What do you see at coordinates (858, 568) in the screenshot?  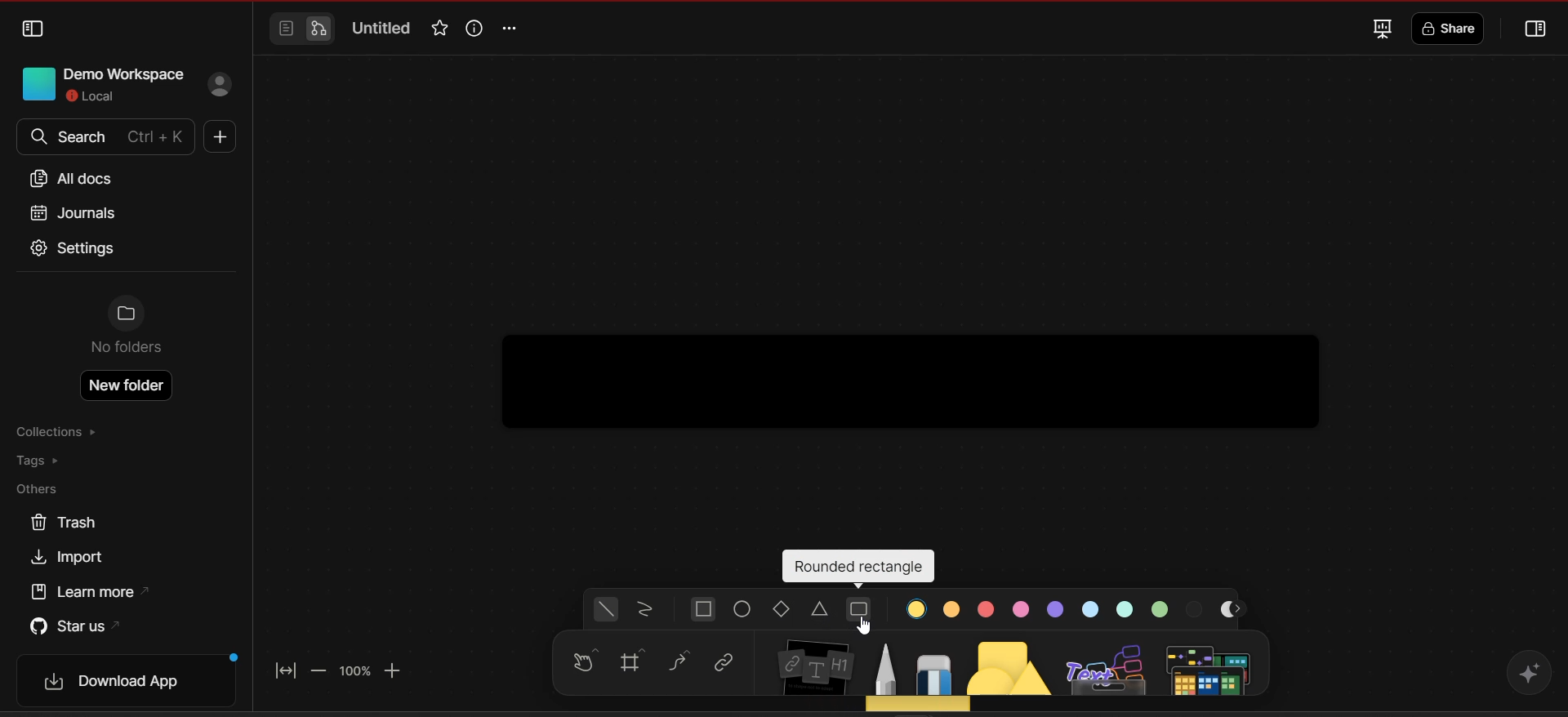 I see `rounded rectangle` at bounding box center [858, 568].